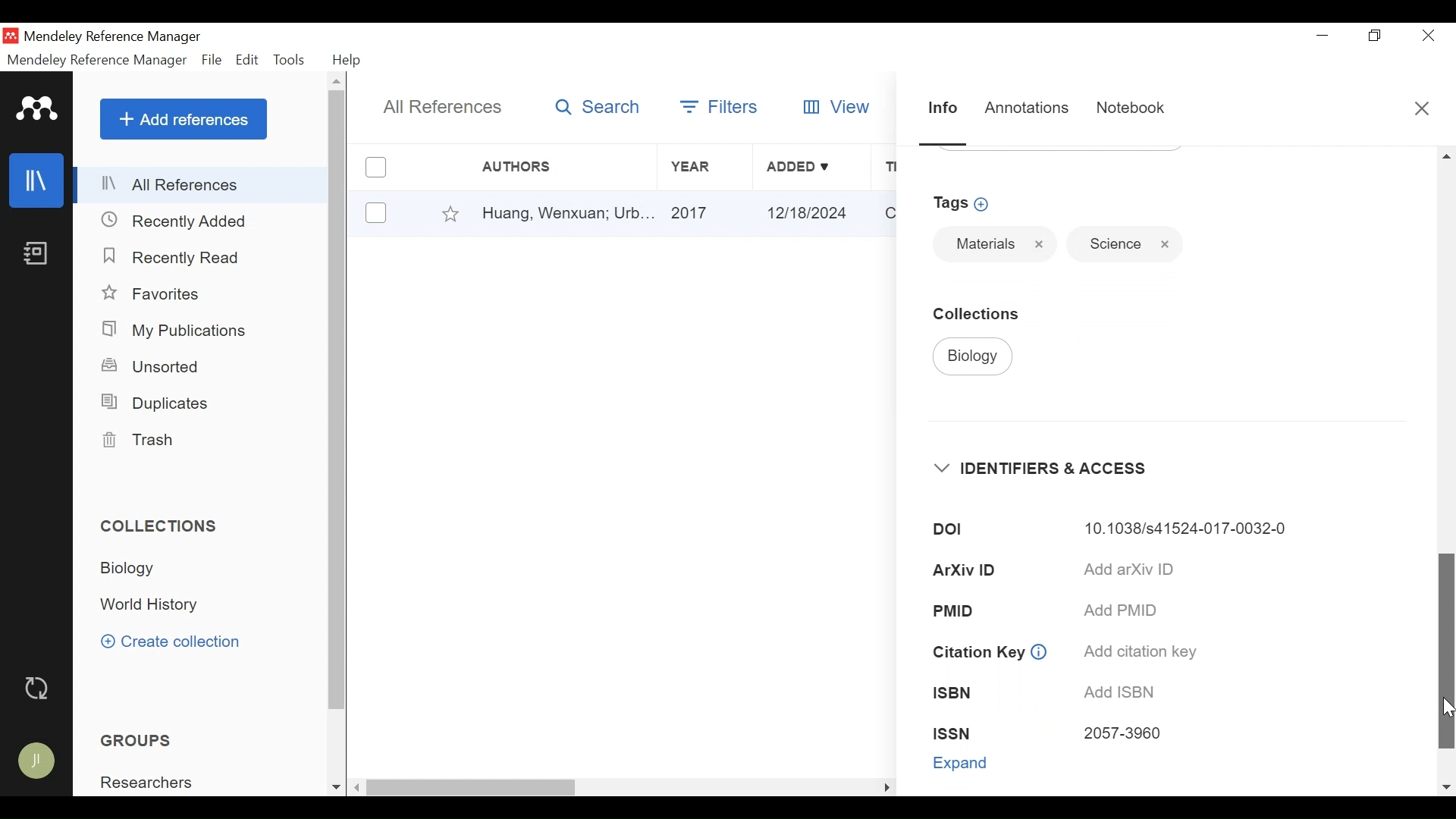  I want to click on Annotations, so click(1026, 108).